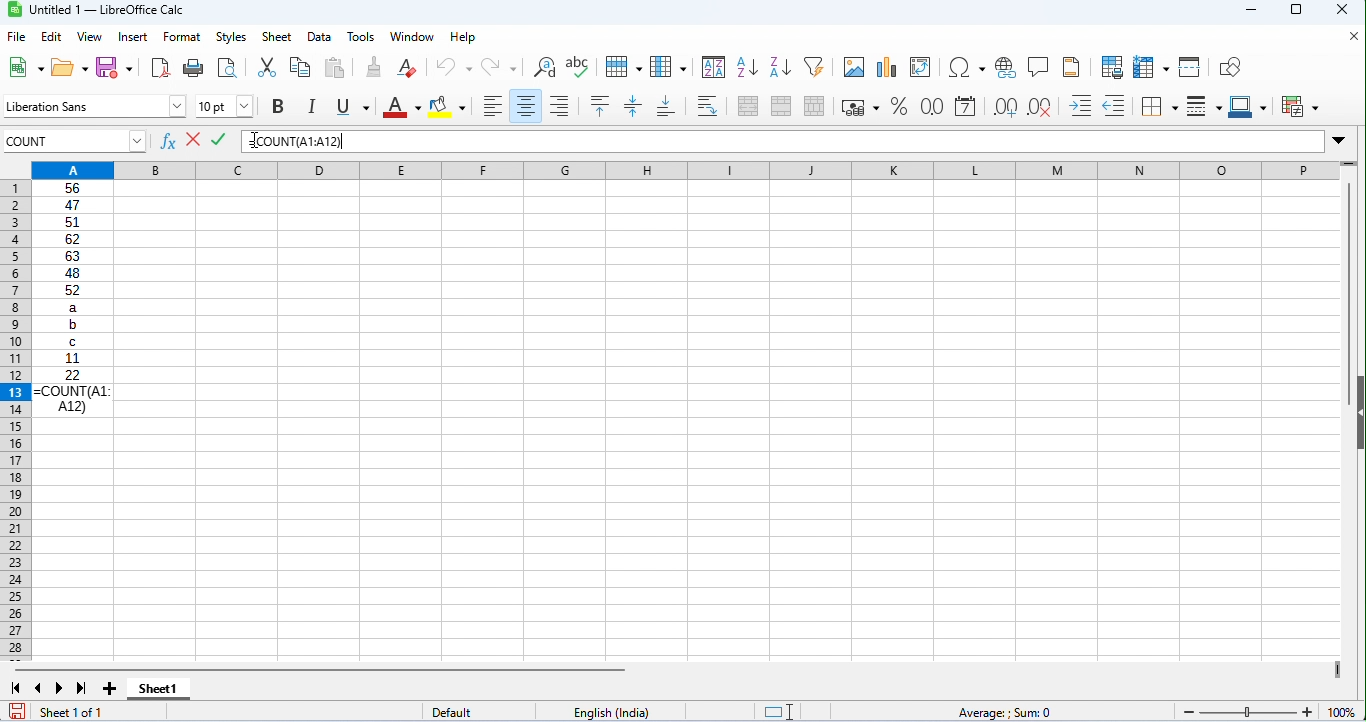  What do you see at coordinates (371, 67) in the screenshot?
I see `clone` at bounding box center [371, 67].